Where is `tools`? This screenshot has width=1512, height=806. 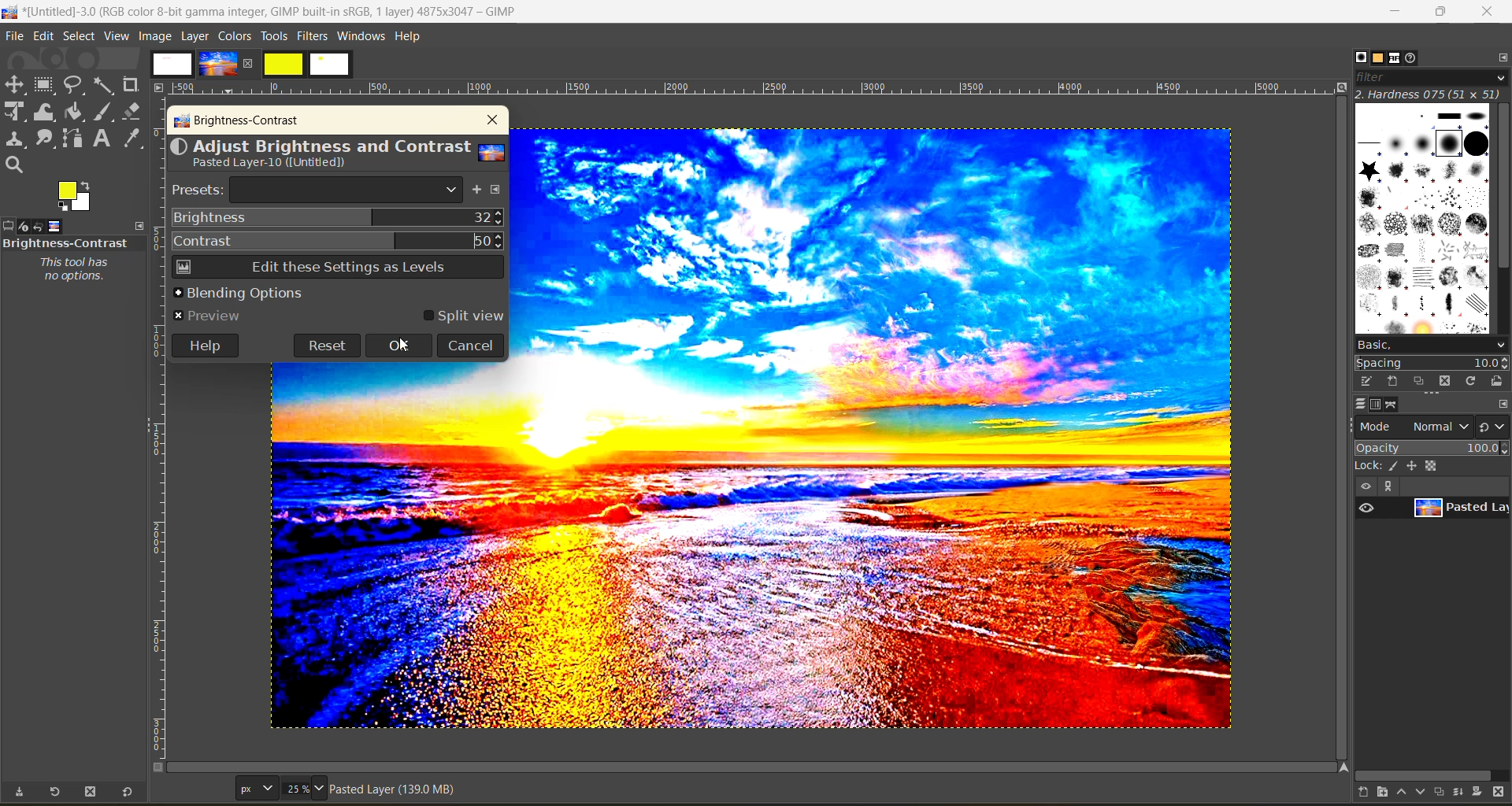 tools is located at coordinates (79, 125).